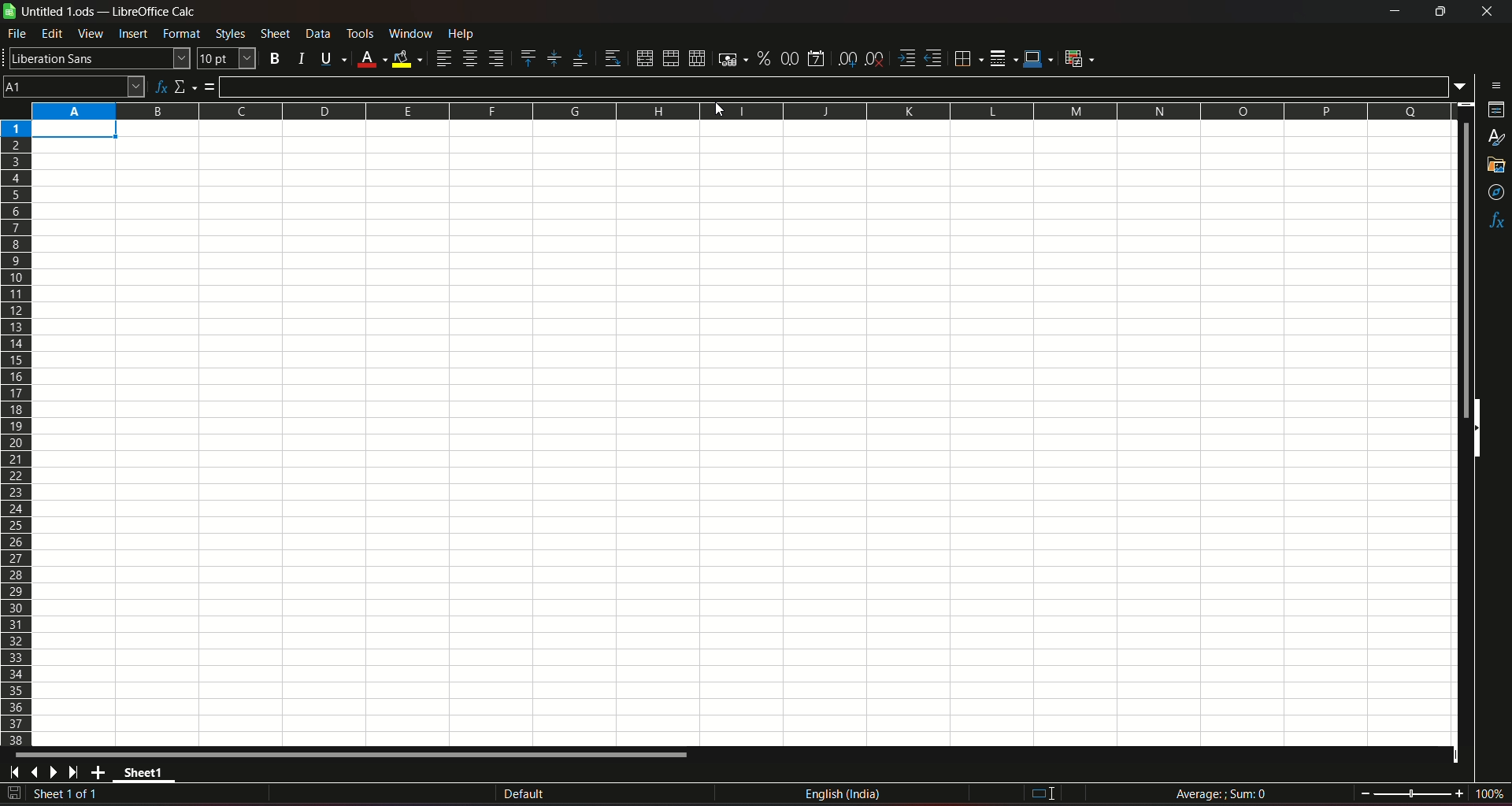 This screenshot has height=806, width=1512. What do you see at coordinates (1497, 168) in the screenshot?
I see `gallery` at bounding box center [1497, 168].